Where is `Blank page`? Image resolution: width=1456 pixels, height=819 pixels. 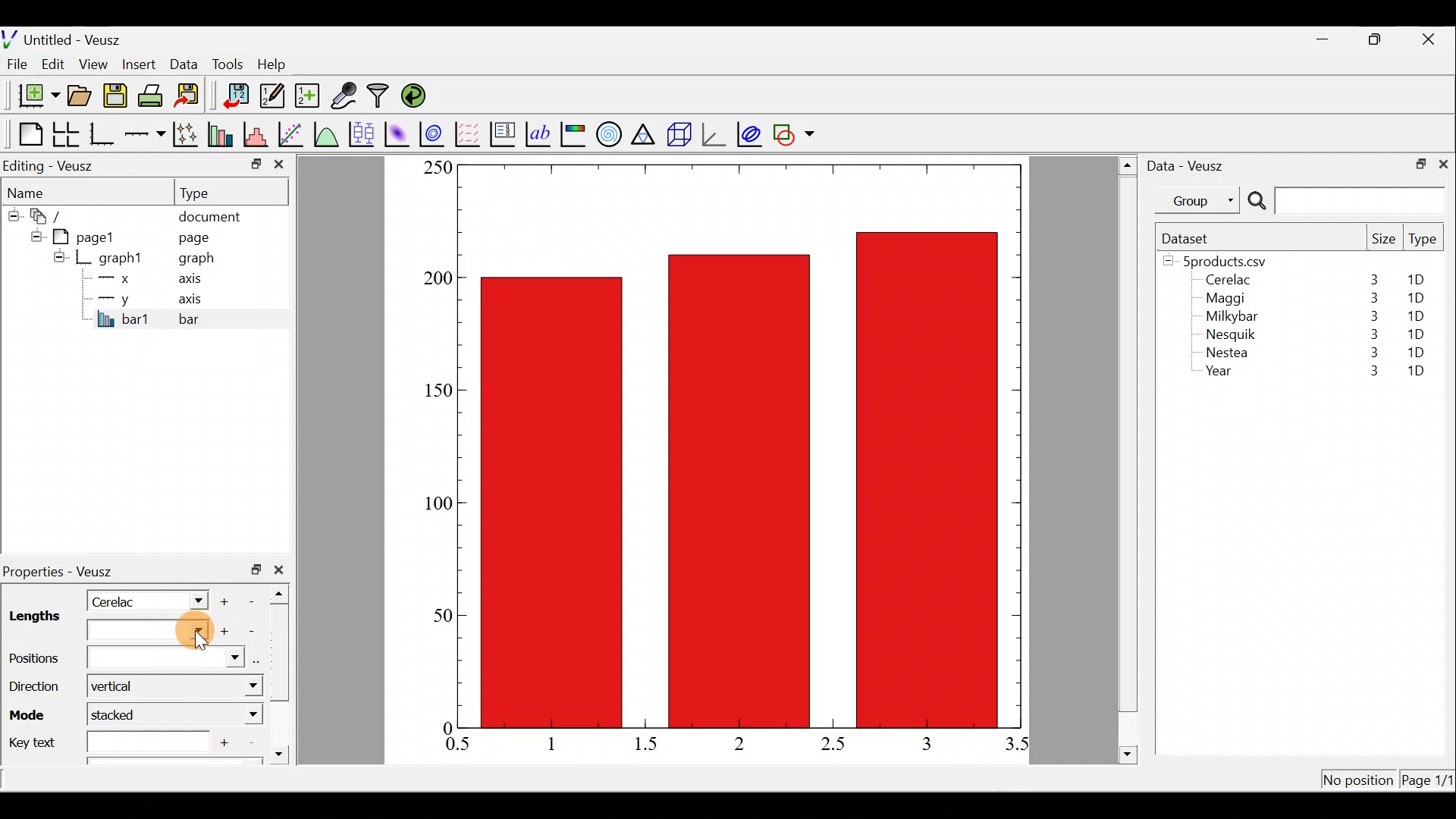 Blank page is located at coordinates (27, 134).